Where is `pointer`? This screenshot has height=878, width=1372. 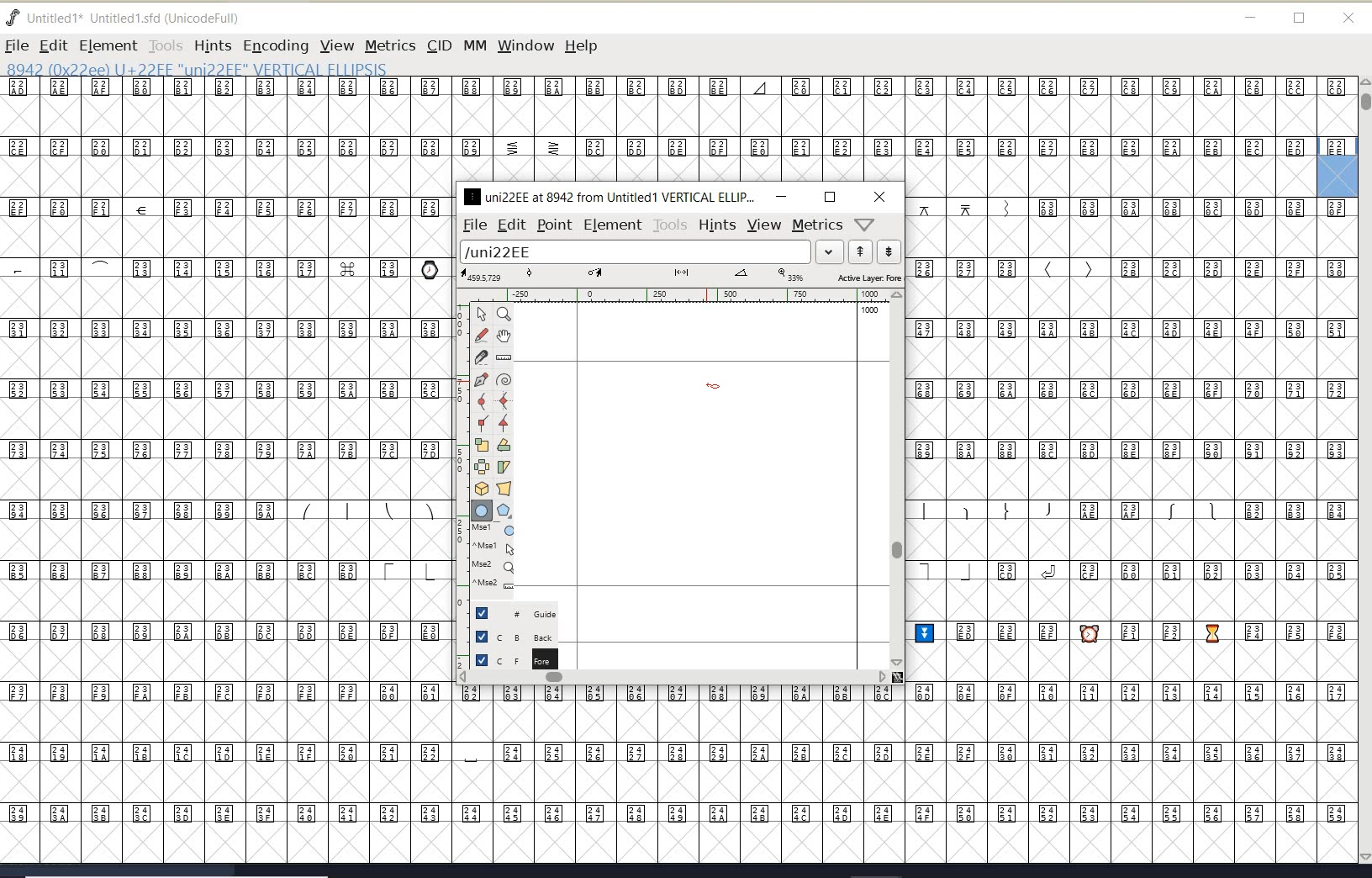 pointer is located at coordinates (483, 315).